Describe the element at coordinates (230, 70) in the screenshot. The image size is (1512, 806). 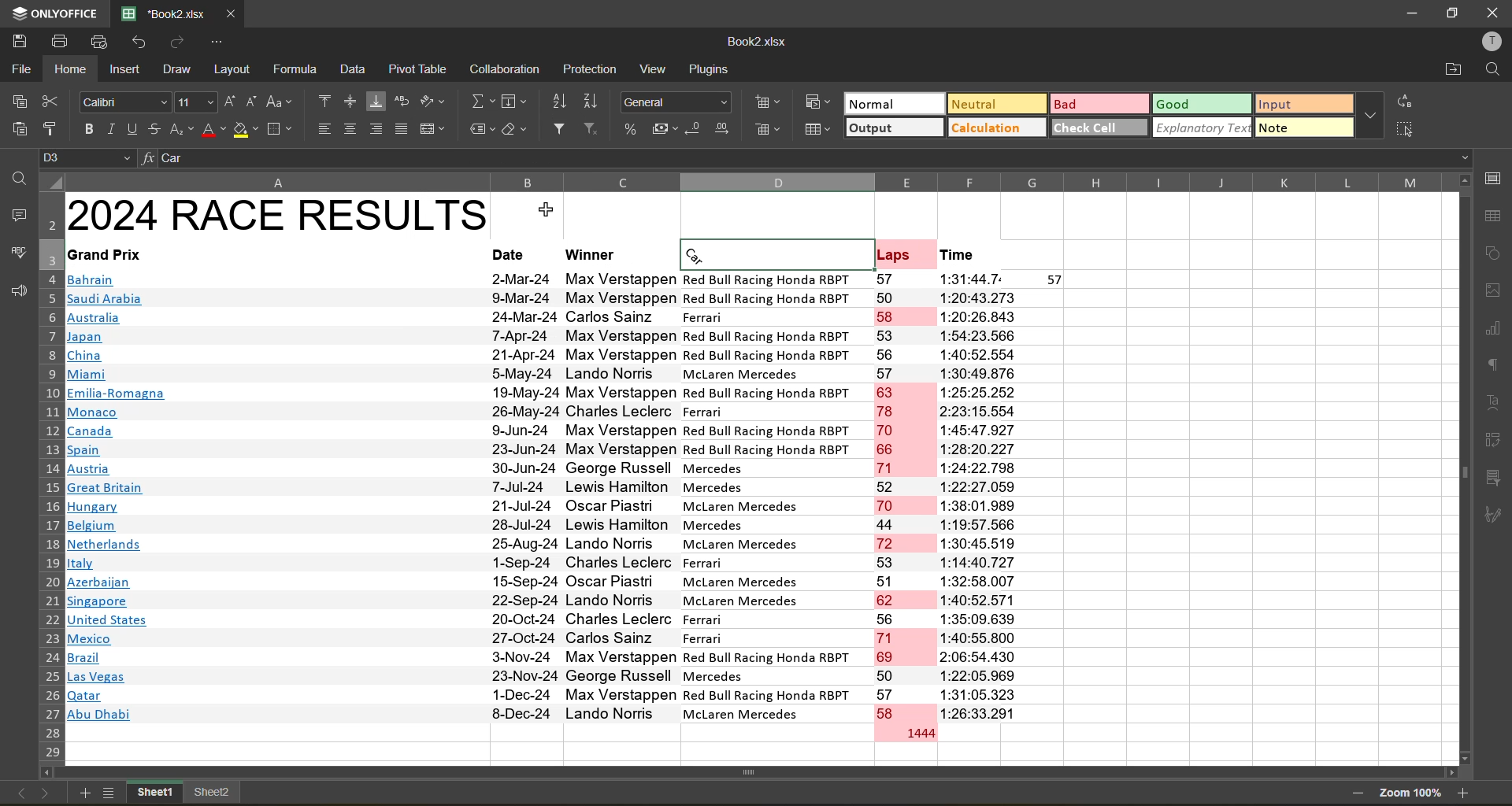
I see `layout` at that location.